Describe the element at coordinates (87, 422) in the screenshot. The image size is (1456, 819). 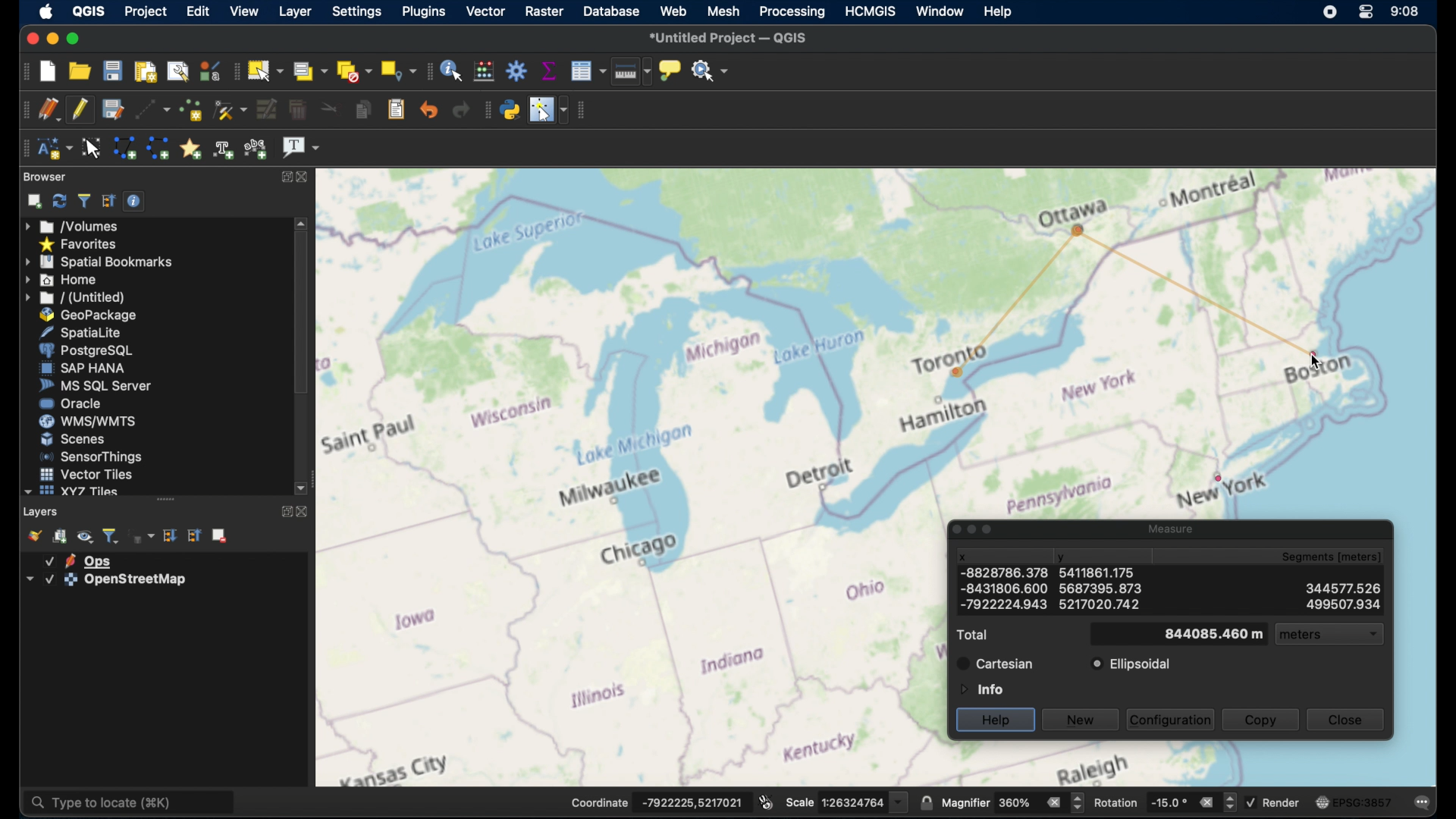
I see `wms/wmts` at that location.